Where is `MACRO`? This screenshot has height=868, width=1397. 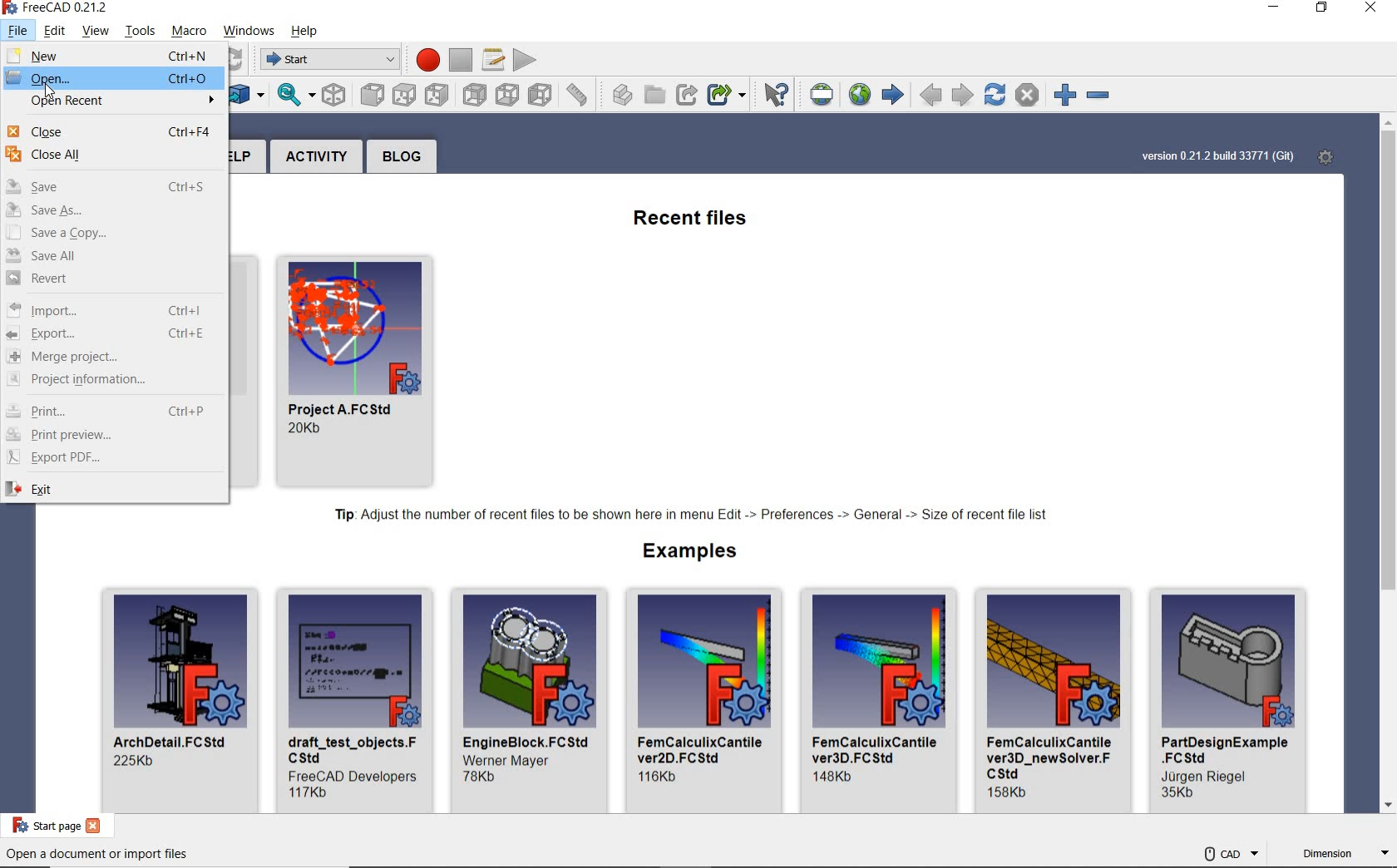
MACRO is located at coordinates (189, 32).